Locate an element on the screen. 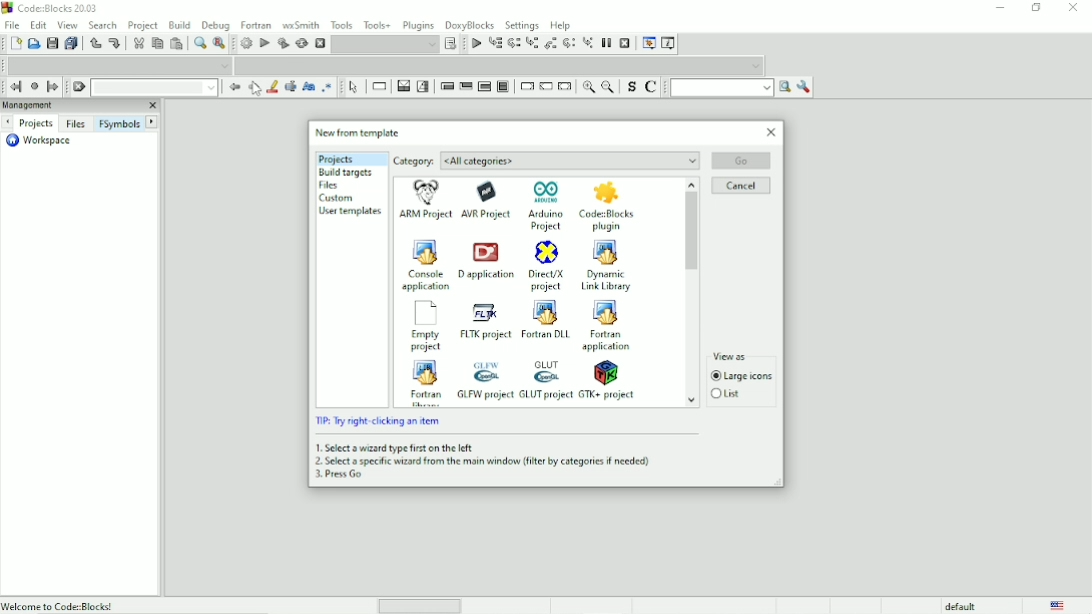 The width and height of the screenshot is (1092, 614). GLFW project is located at coordinates (484, 379).